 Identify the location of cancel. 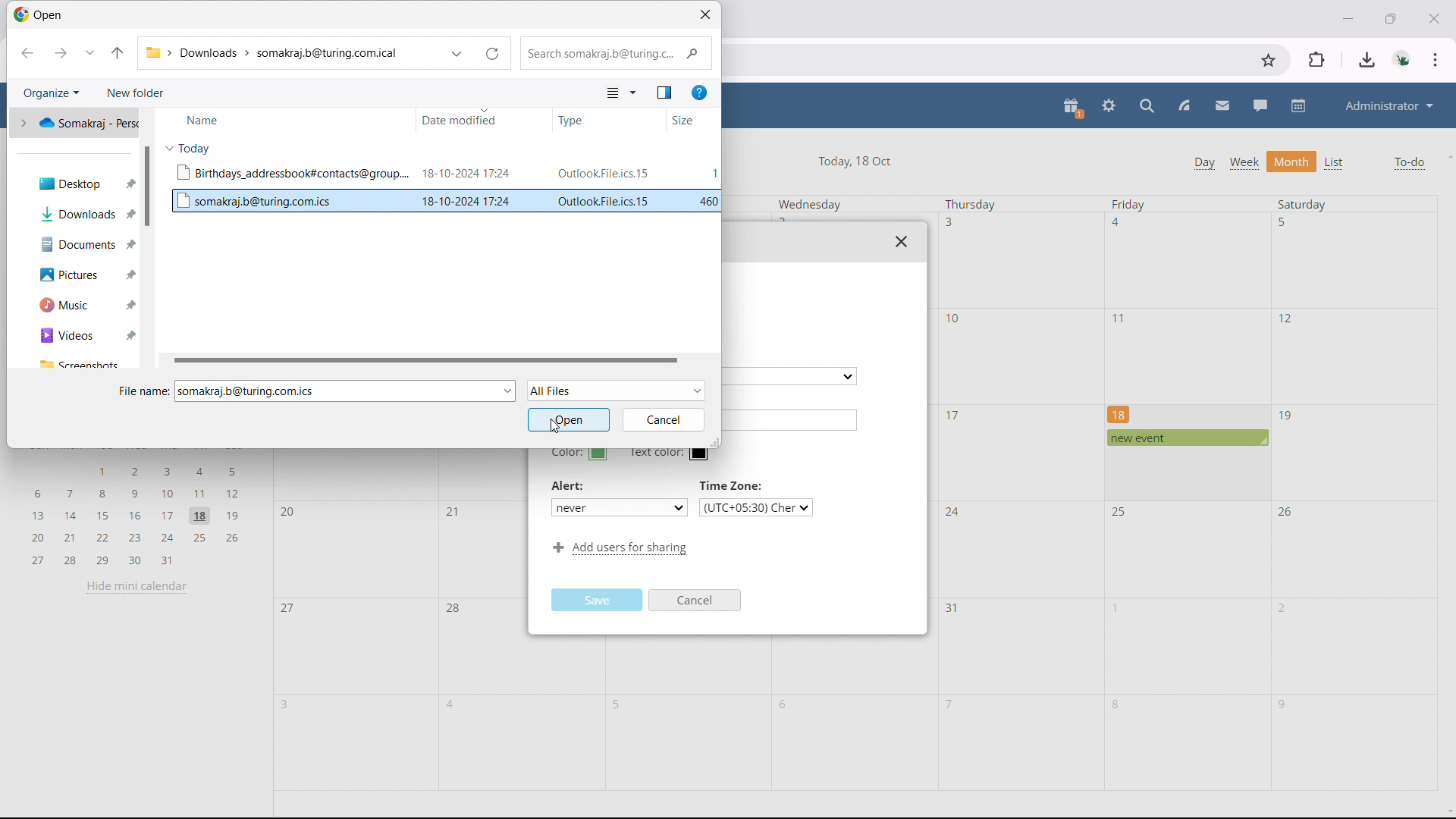
(661, 420).